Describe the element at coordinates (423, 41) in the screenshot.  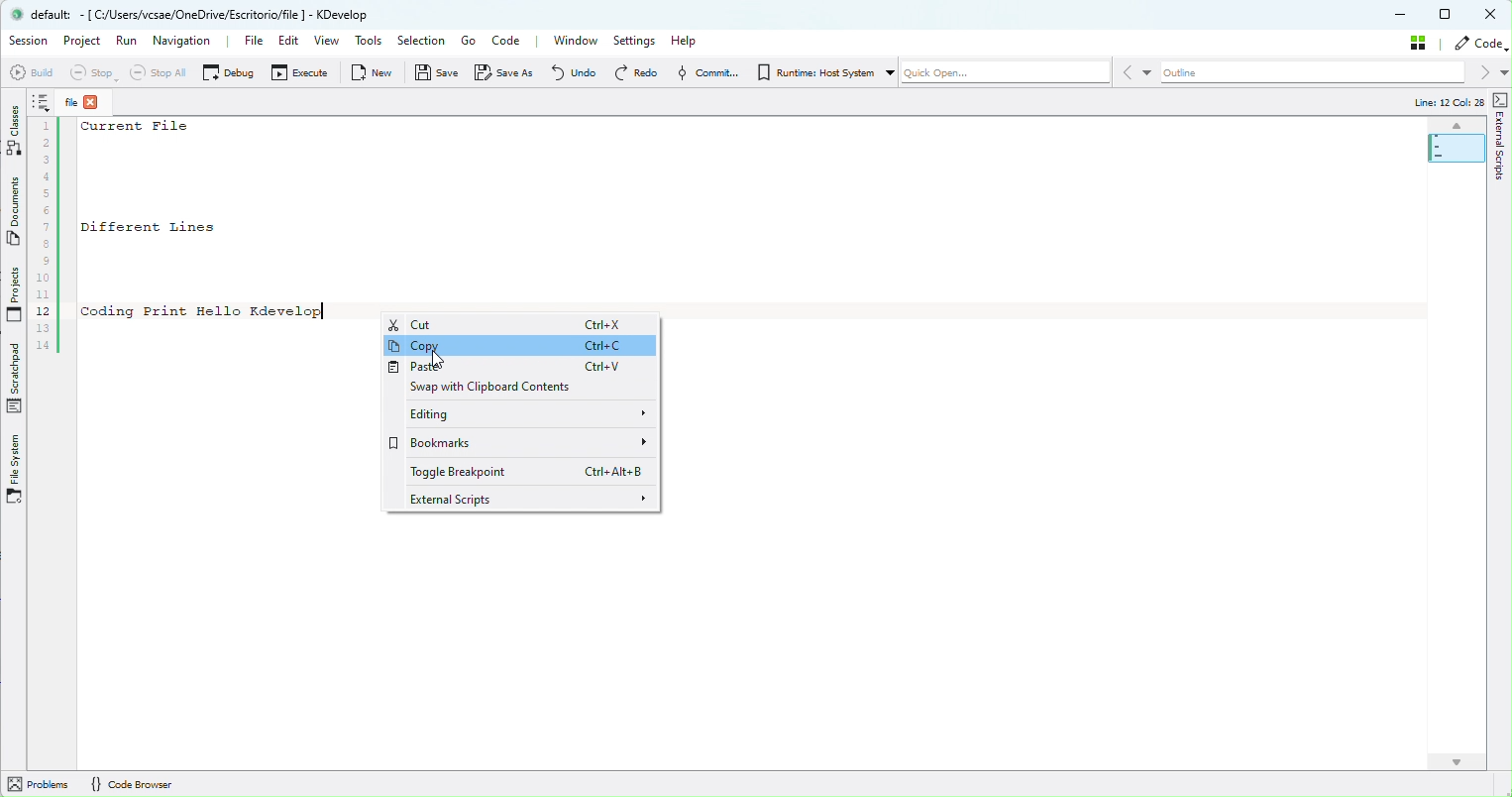
I see `Selection` at that location.